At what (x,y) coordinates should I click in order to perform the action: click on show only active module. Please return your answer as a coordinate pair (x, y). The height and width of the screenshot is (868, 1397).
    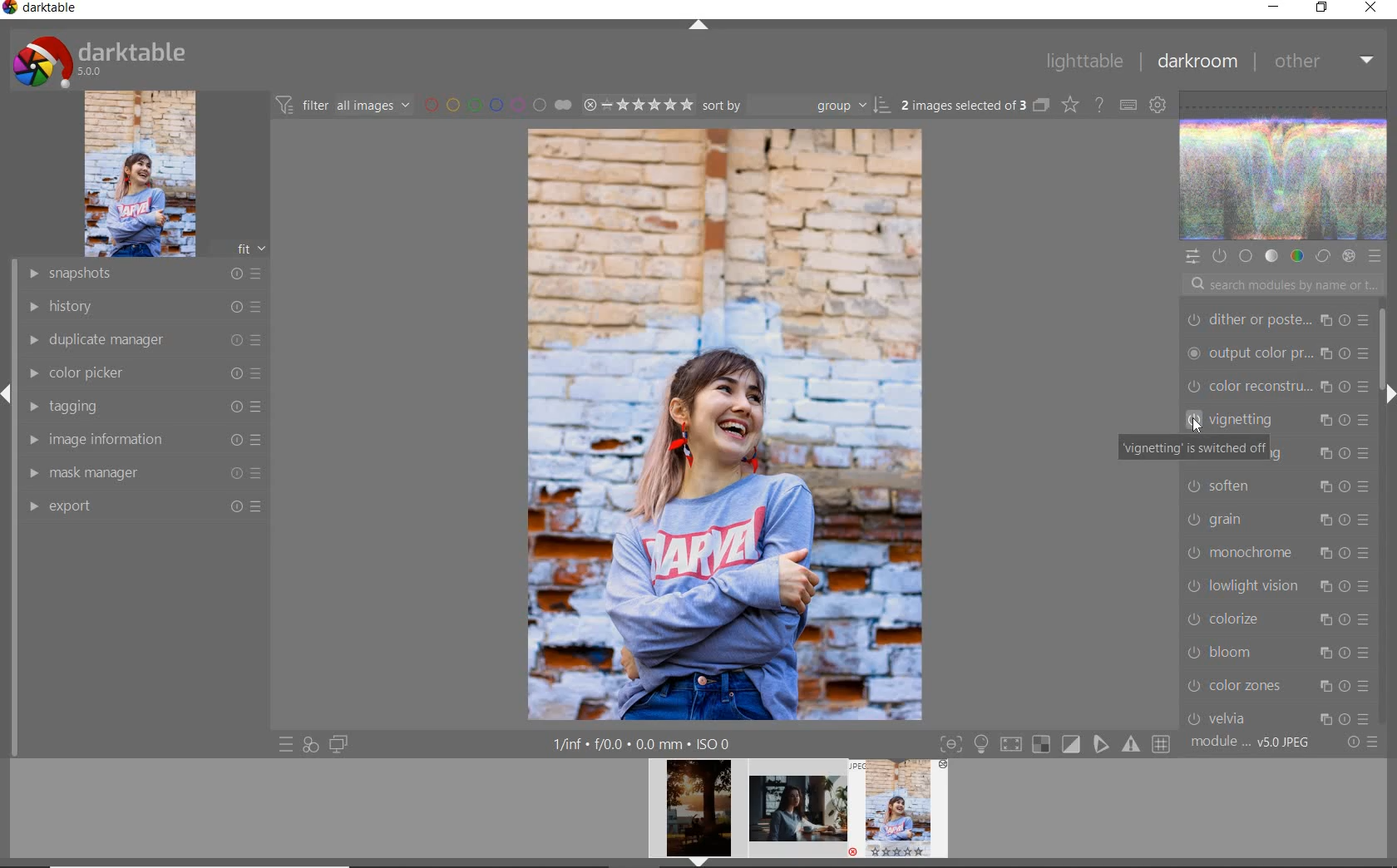
    Looking at the image, I should click on (1218, 256).